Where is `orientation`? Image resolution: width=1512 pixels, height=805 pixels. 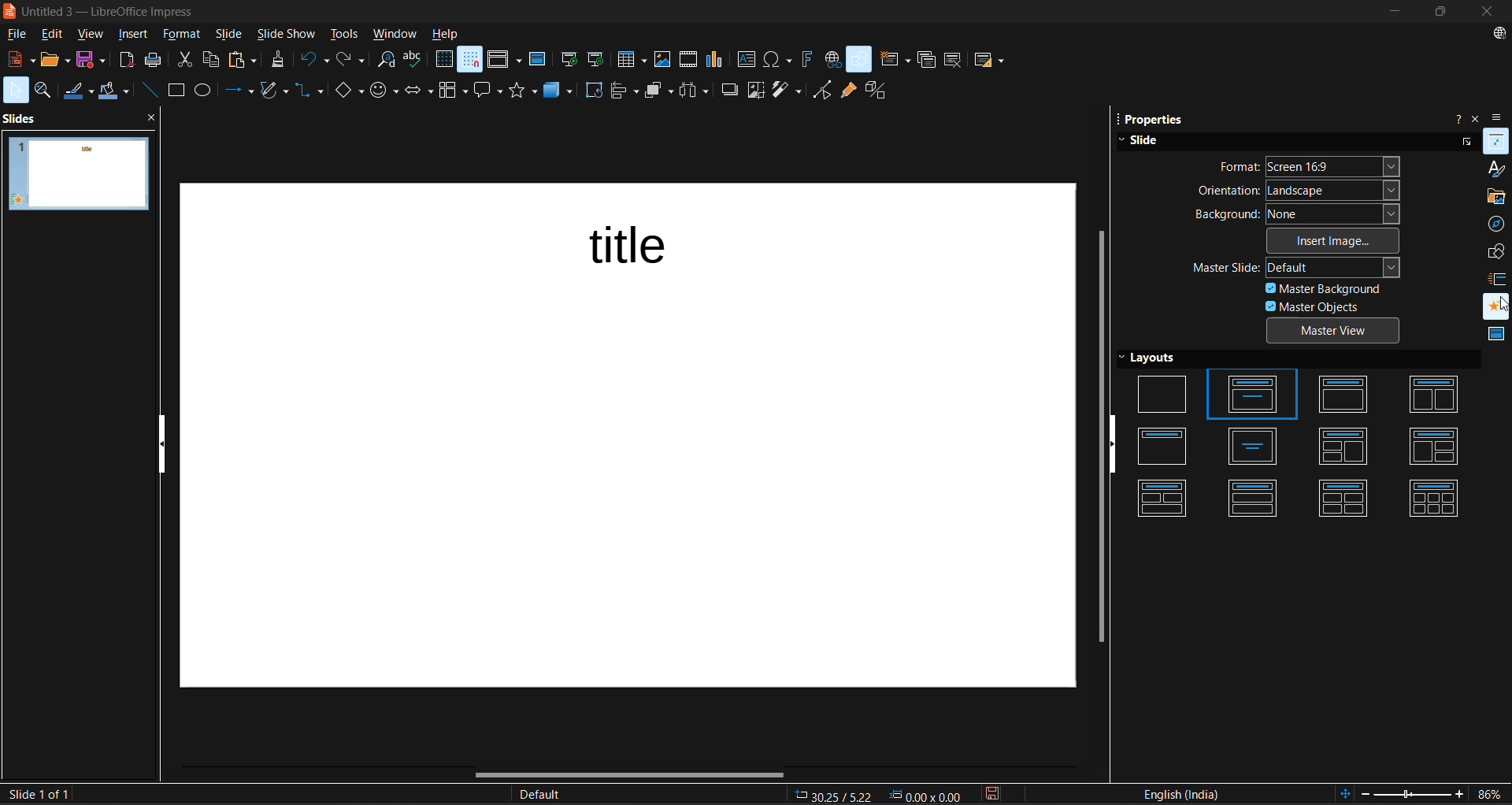
orientation is located at coordinates (1298, 189).